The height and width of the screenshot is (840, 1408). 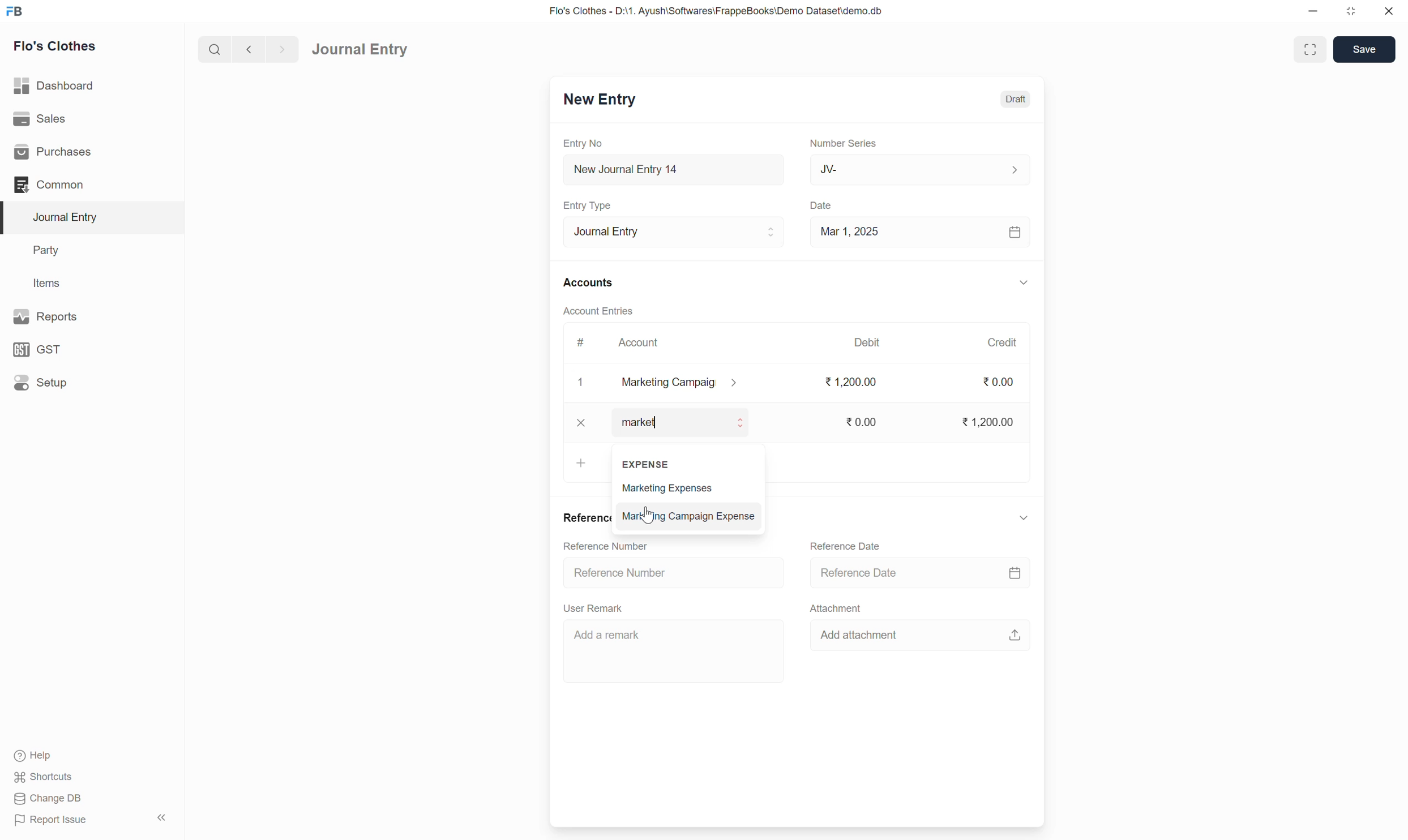 What do you see at coordinates (48, 777) in the screenshot?
I see `Shortcuts` at bounding box center [48, 777].